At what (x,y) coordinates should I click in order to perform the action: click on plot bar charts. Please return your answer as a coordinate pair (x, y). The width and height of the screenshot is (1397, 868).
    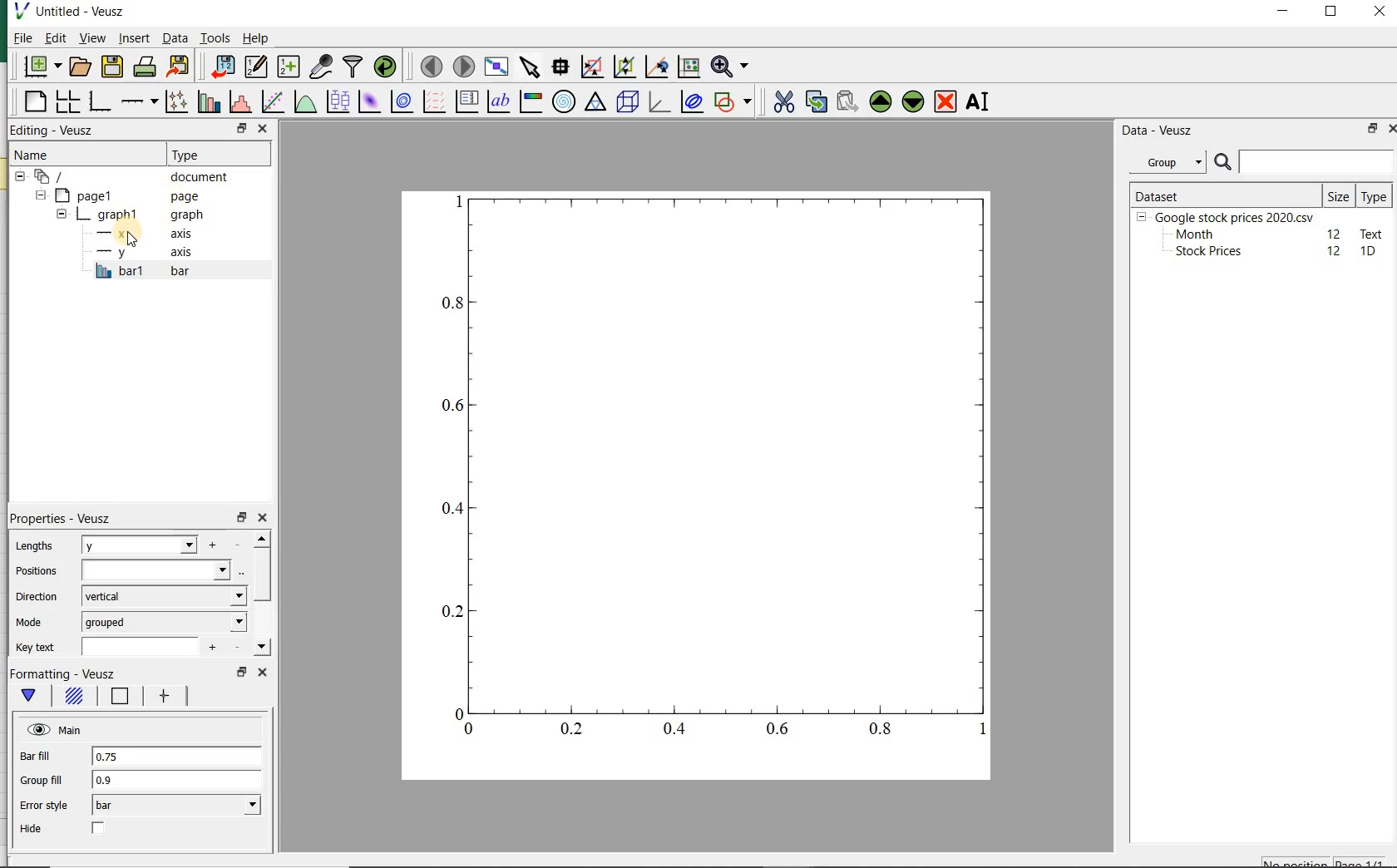
    Looking at the image, I should click on (206, 103).